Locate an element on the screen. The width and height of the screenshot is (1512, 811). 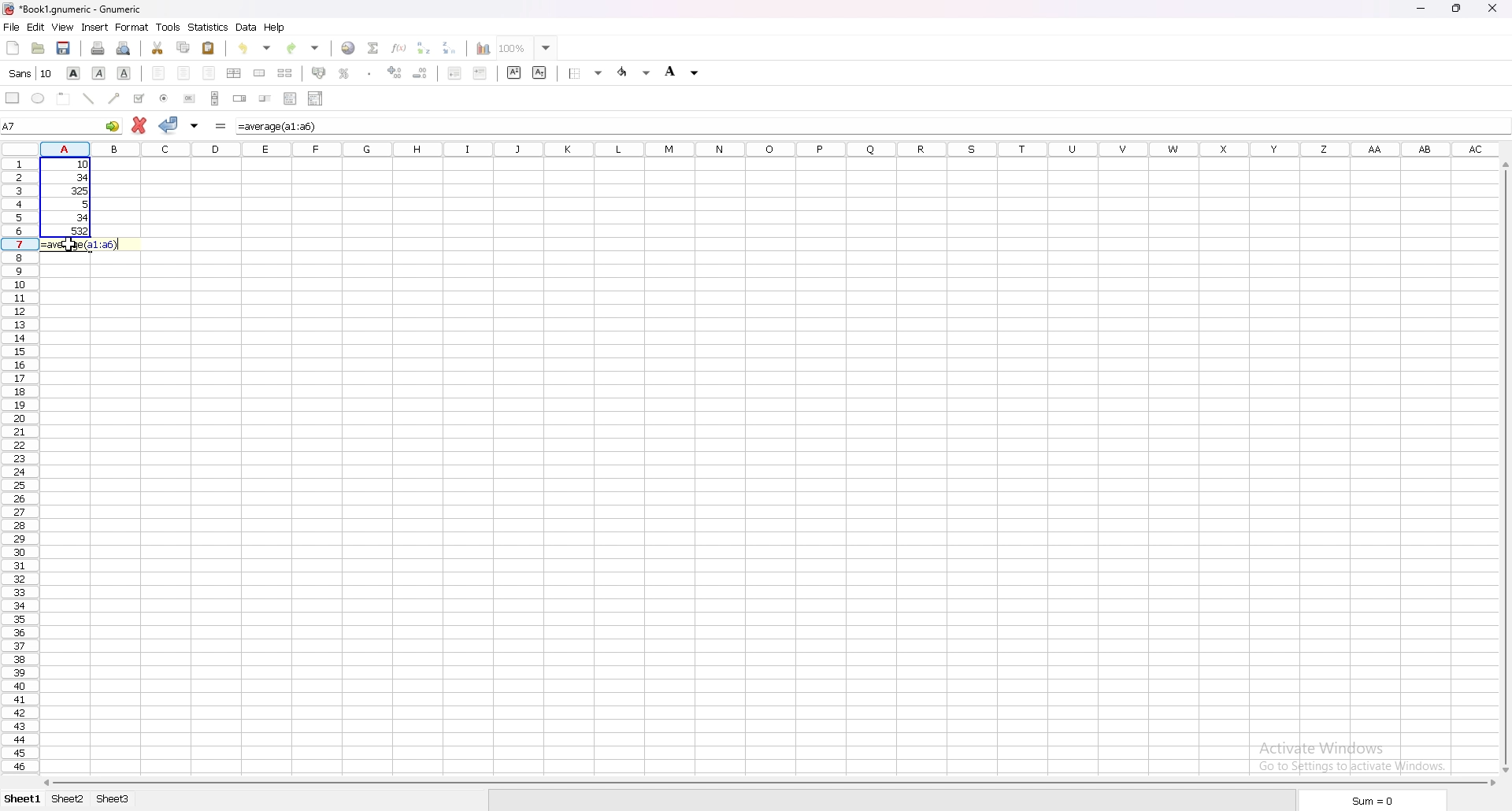
cancel changes is located at coordinates (139, 125).